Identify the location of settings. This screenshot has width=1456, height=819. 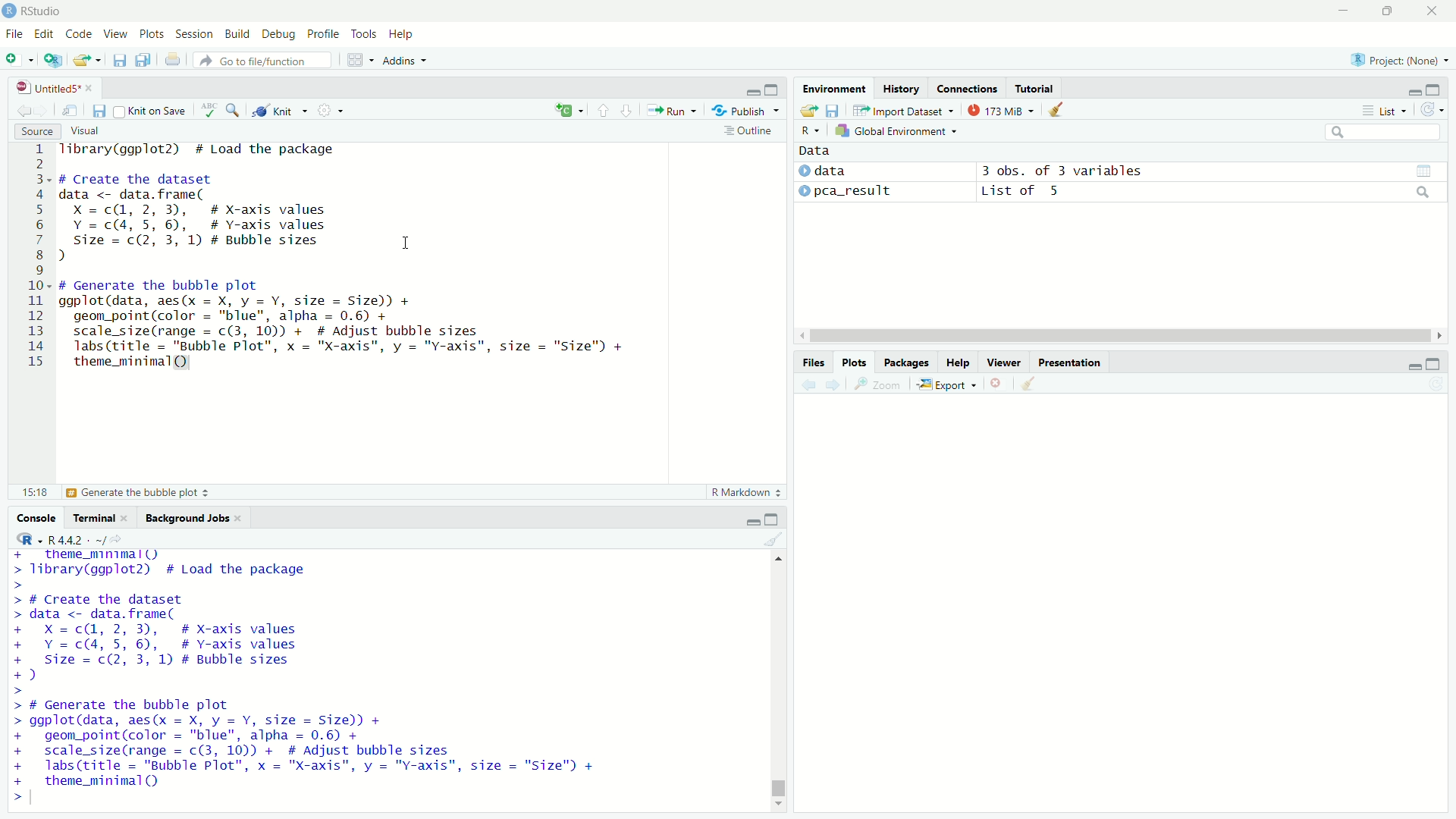
(330, 111).